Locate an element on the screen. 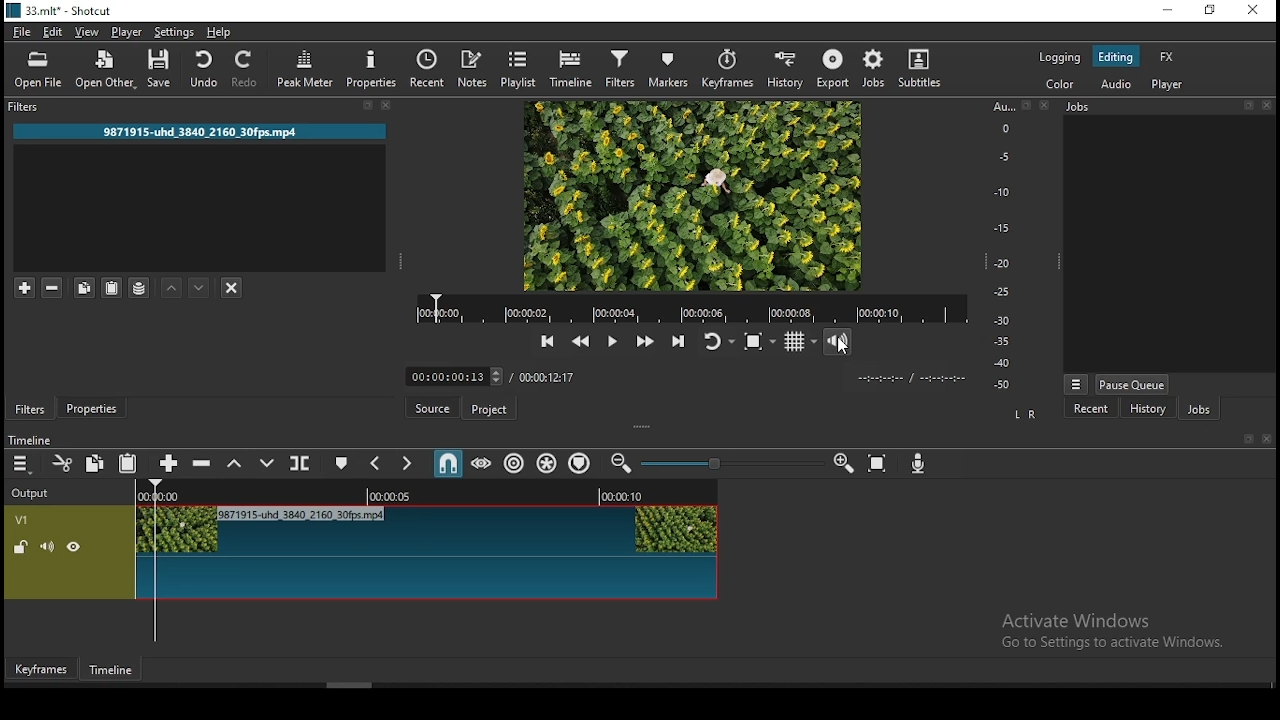 Image resolution: width=1280 pixels, height=720 pixels. fx is located at coordinates (1168, 58).